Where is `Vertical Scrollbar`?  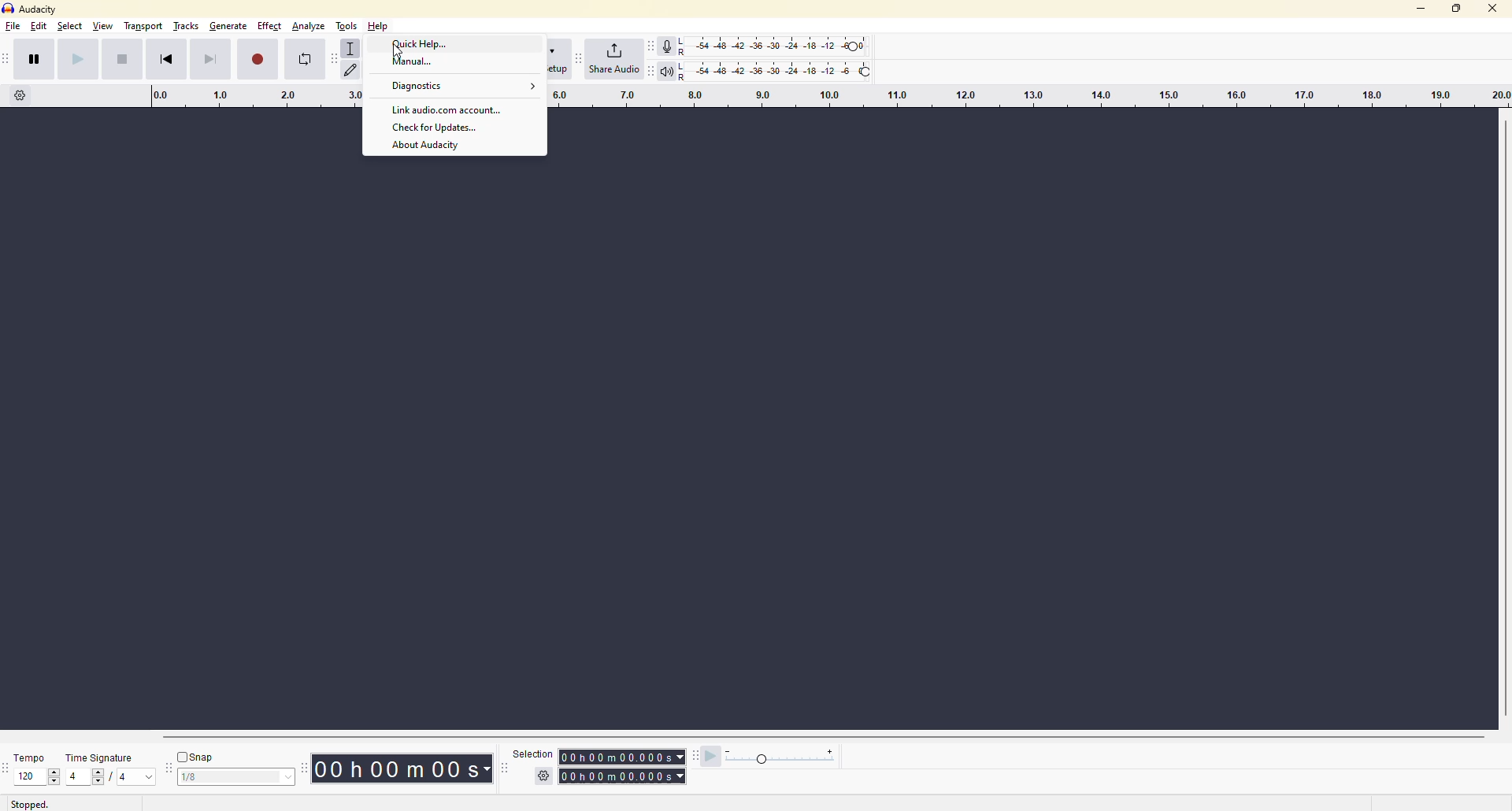 Vertical Scrollbar is located at coordinates (1503, 421).